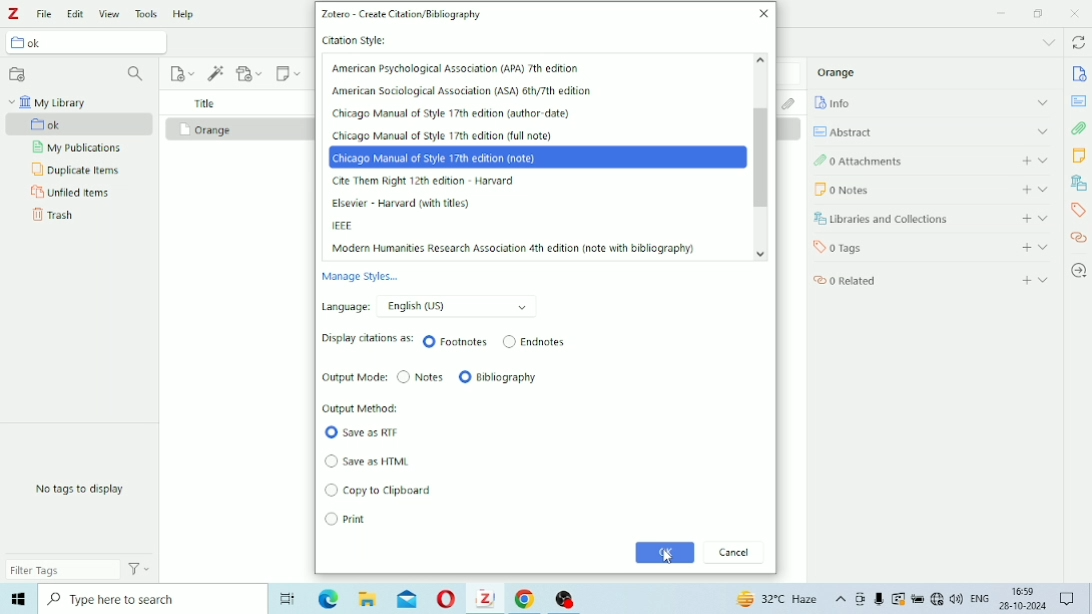 This screenshot has width=1092, height=614. Describe the element at coordinates (367, 434) in the screenshot. I see `Save as RTF` at that location.